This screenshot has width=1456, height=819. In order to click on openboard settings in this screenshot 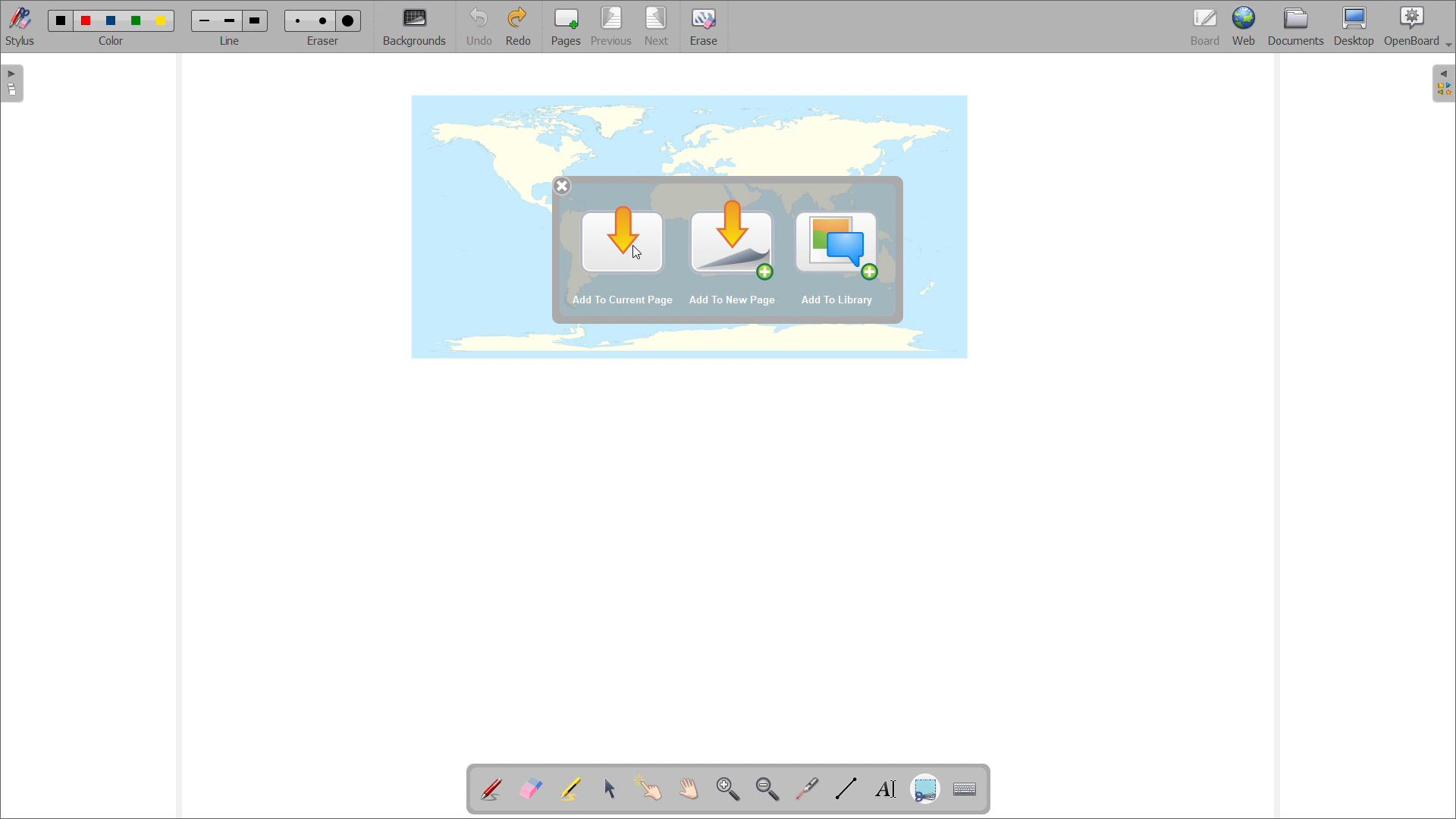, I will do `click(1417, 25)`.